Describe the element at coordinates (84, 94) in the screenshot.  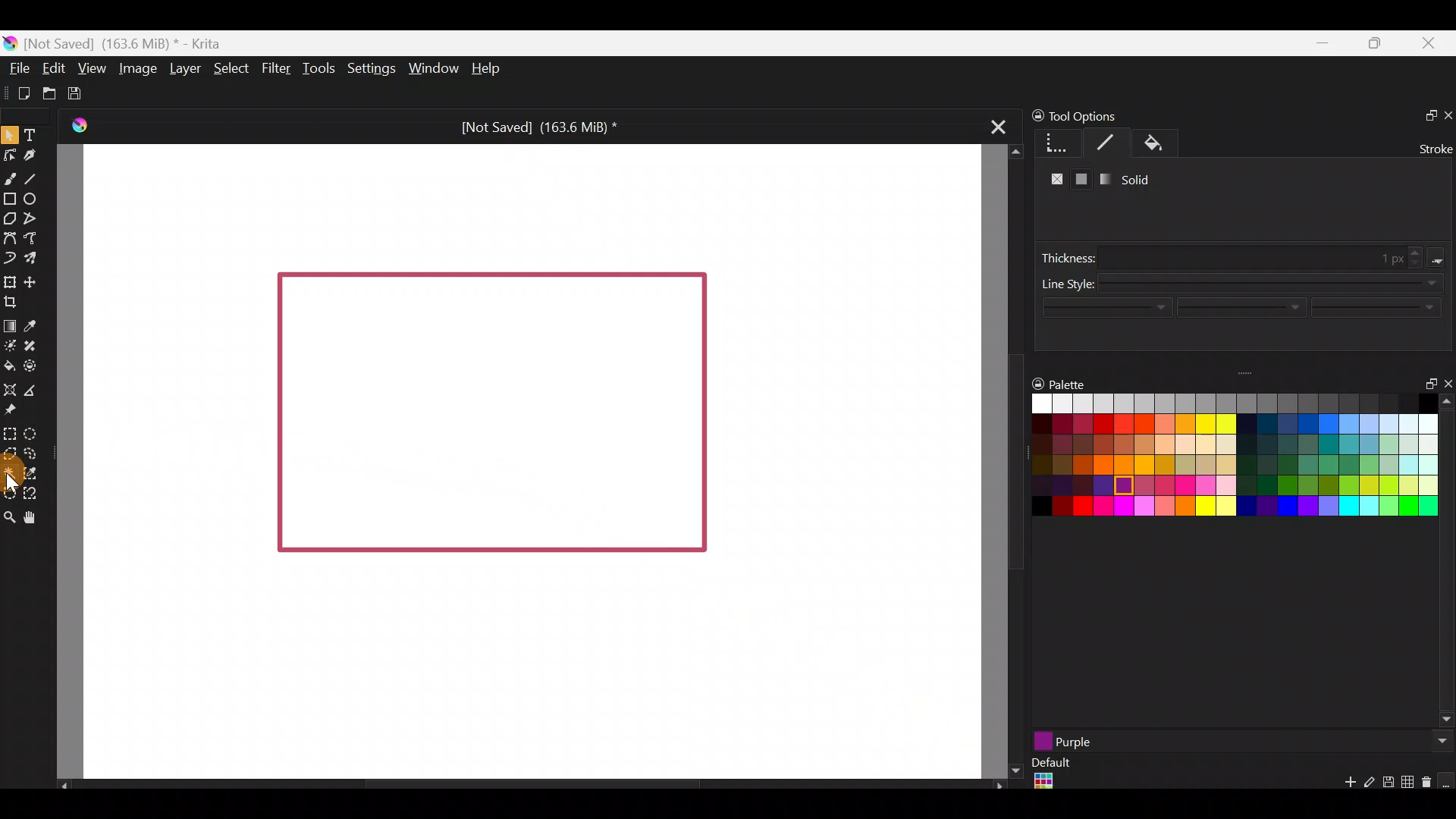
I see `Save` at that location.